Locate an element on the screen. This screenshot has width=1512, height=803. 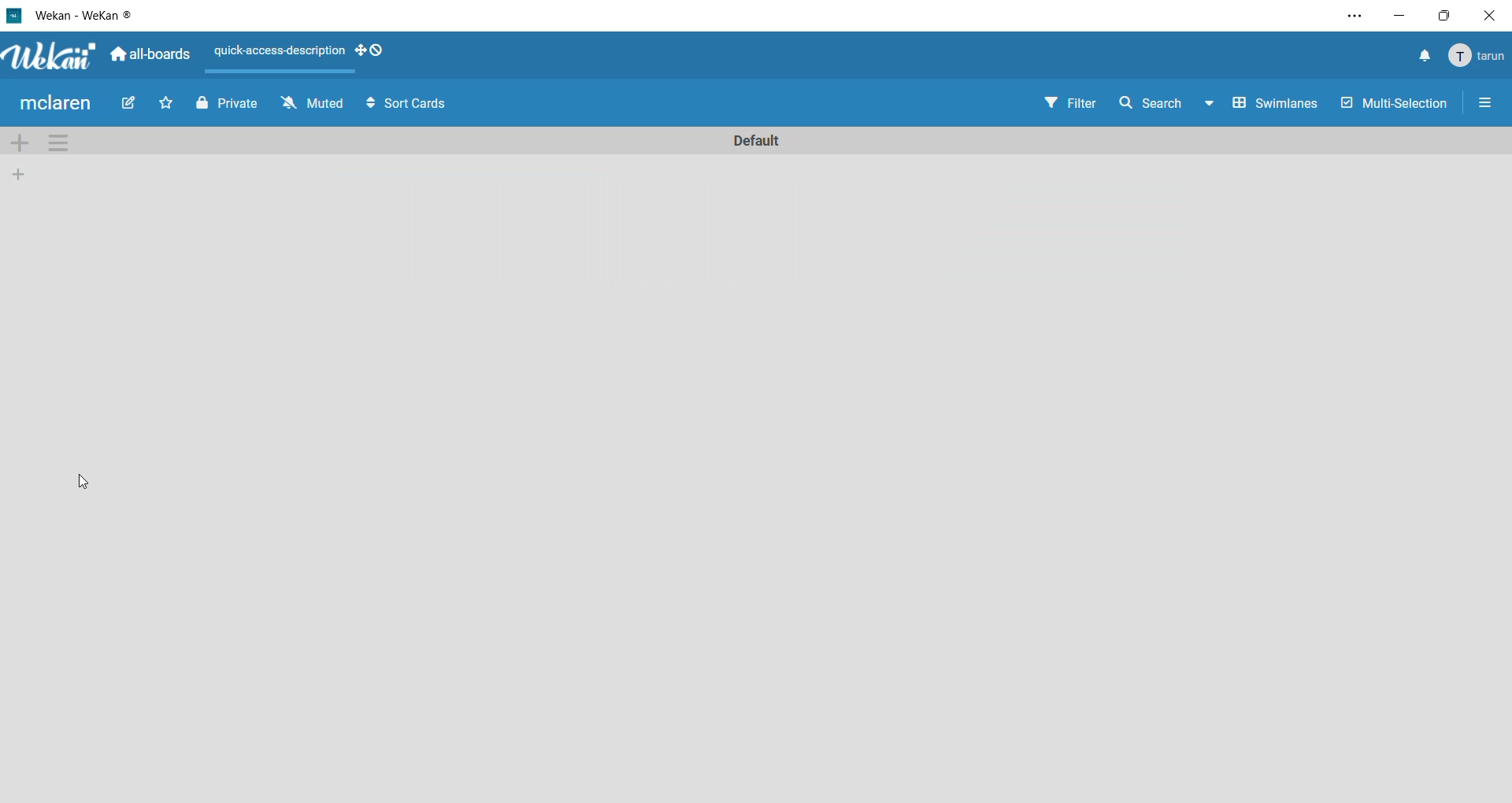
maximize is located at coordinates (1444, 16).